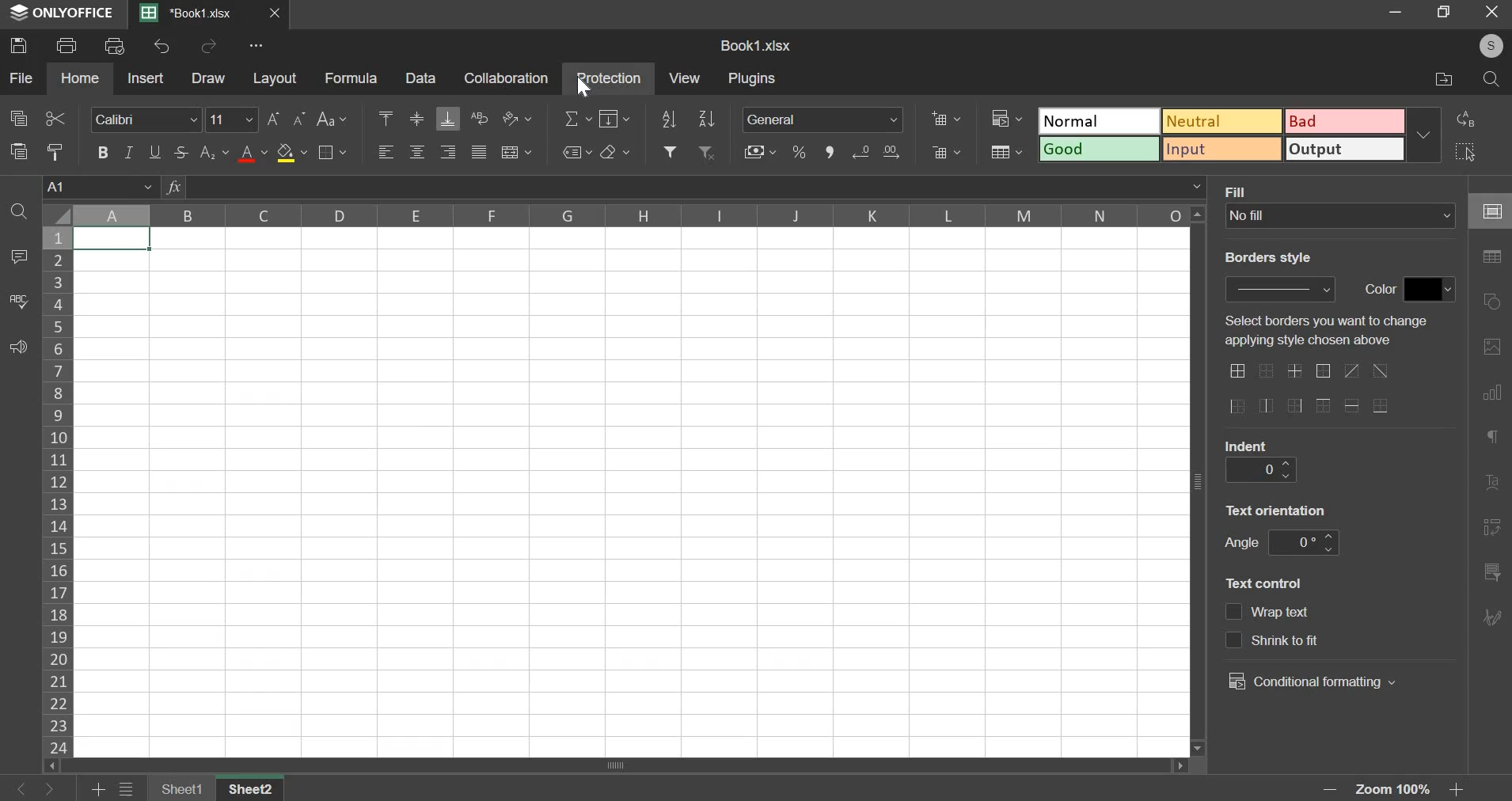 The width and height of the screenshot is (1512, 801). Describe the element at coordinates (1246, 445) in the screenshot. I see `indent` at that location.